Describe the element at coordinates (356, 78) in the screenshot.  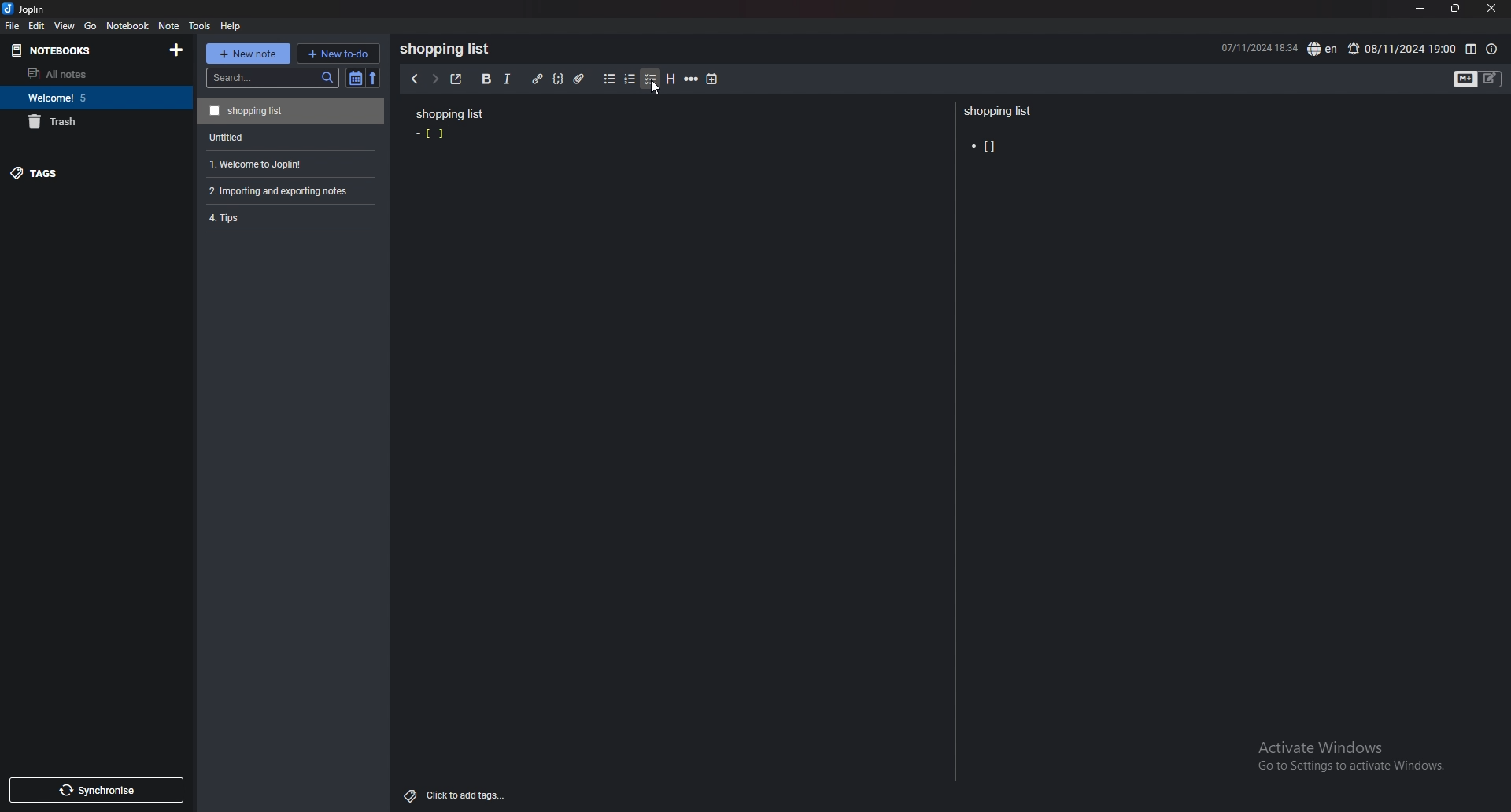
I see `toggle sort order` at that location.